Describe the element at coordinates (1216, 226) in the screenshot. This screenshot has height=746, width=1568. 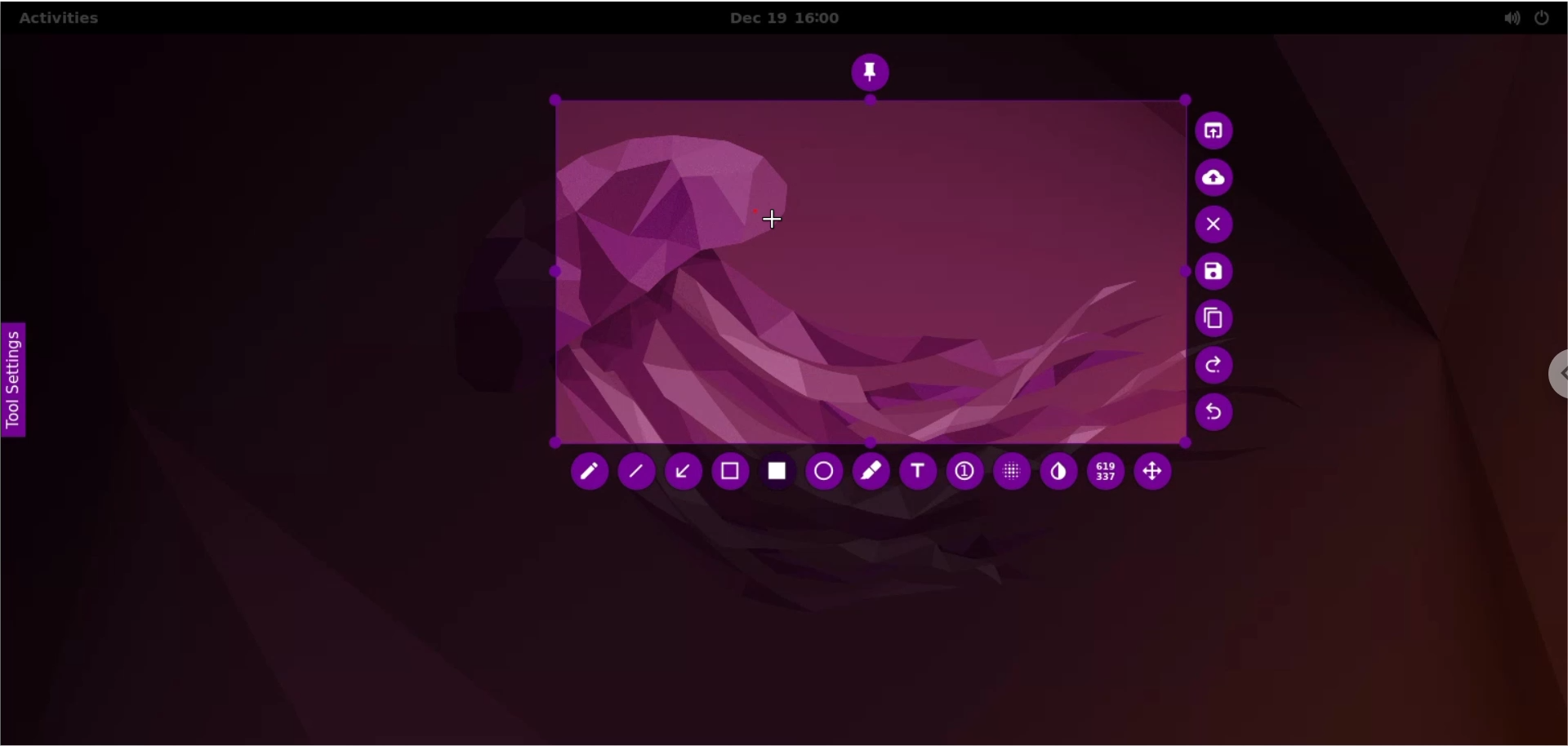
I see `cancel capture` at that location.